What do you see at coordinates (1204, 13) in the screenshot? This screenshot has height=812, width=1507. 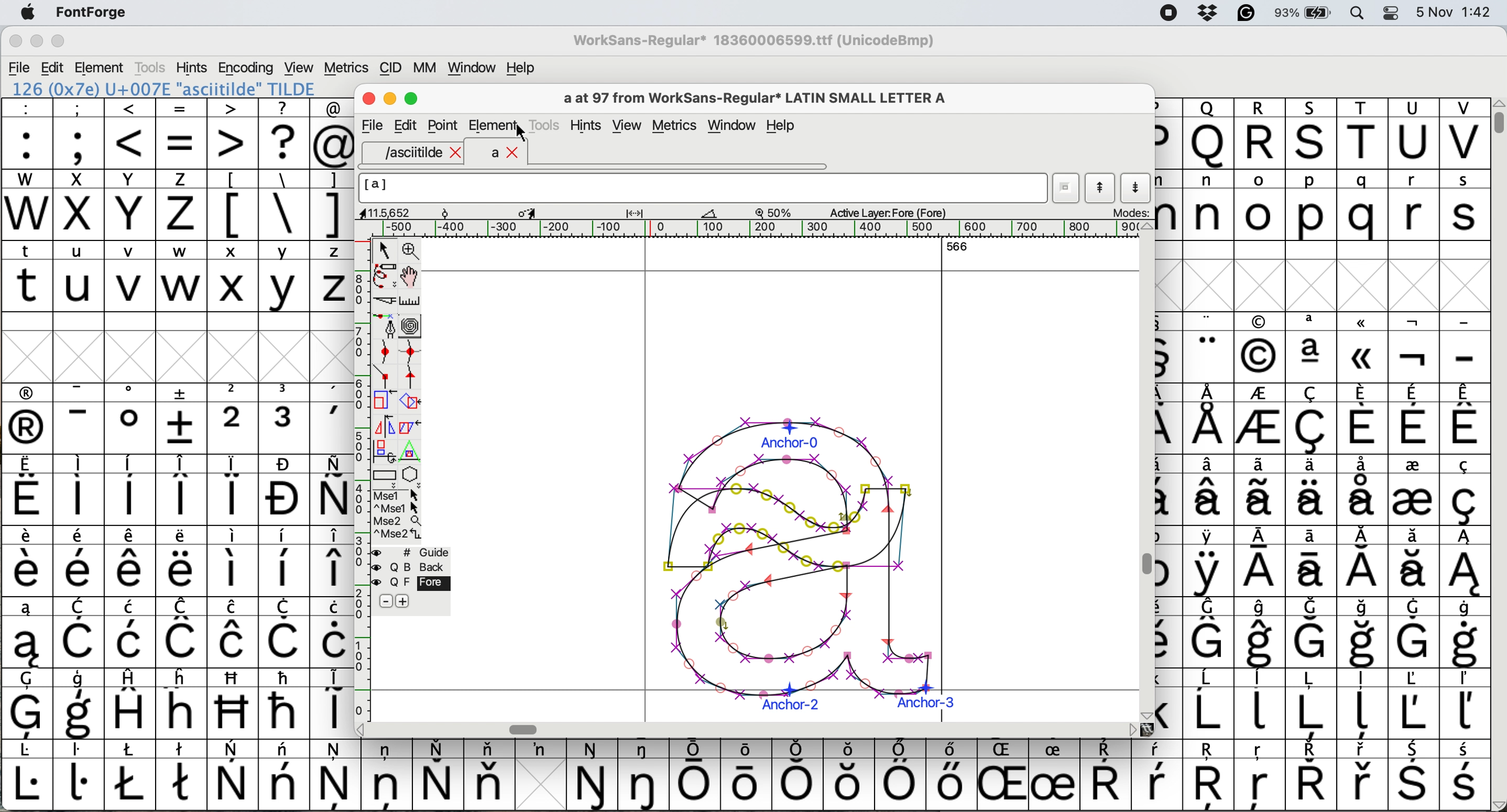 I see `dropbox` at bounding box center [1204, 13].